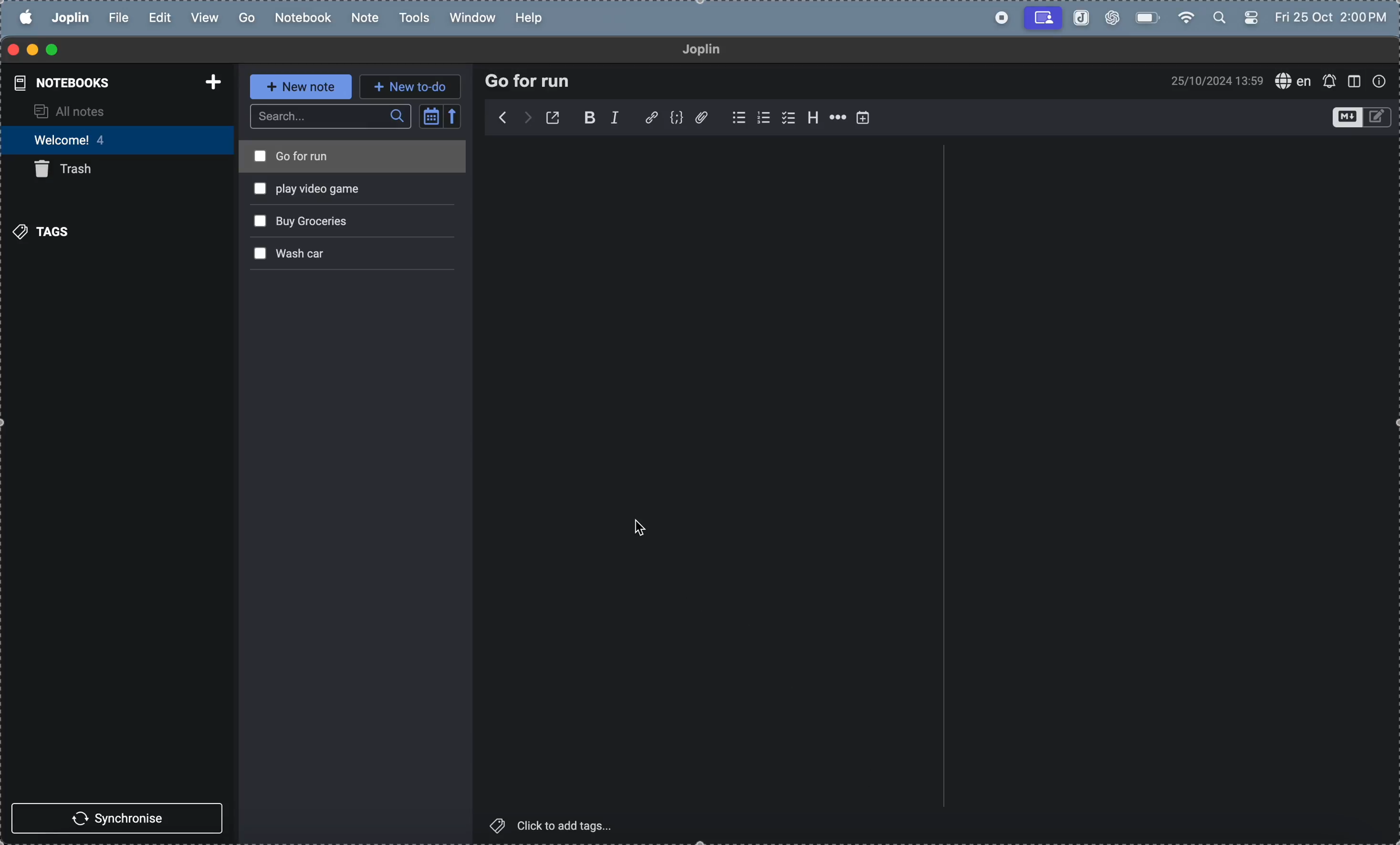  What do you see at coordinates (534, 19) in the screenshot?
I see `help` at bounding box center [534, 19].